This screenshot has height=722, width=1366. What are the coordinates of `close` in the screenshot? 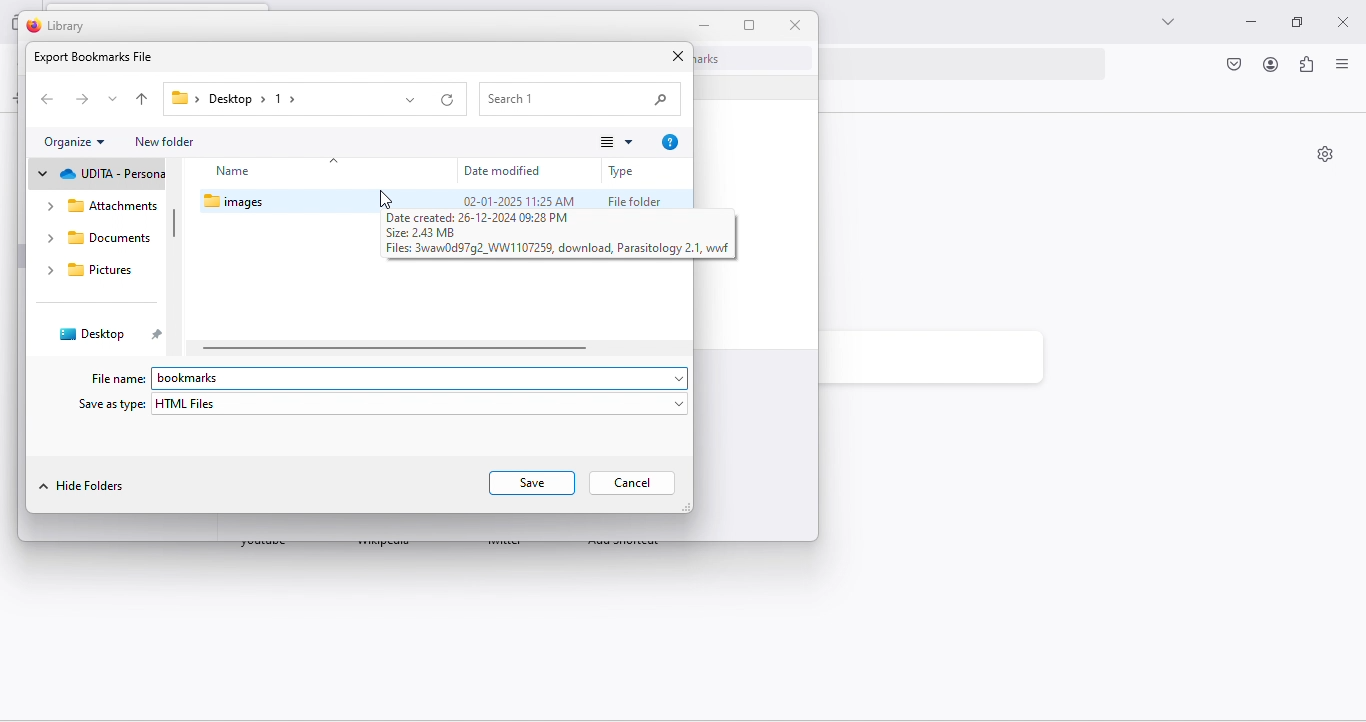 It's located at (798, 25).